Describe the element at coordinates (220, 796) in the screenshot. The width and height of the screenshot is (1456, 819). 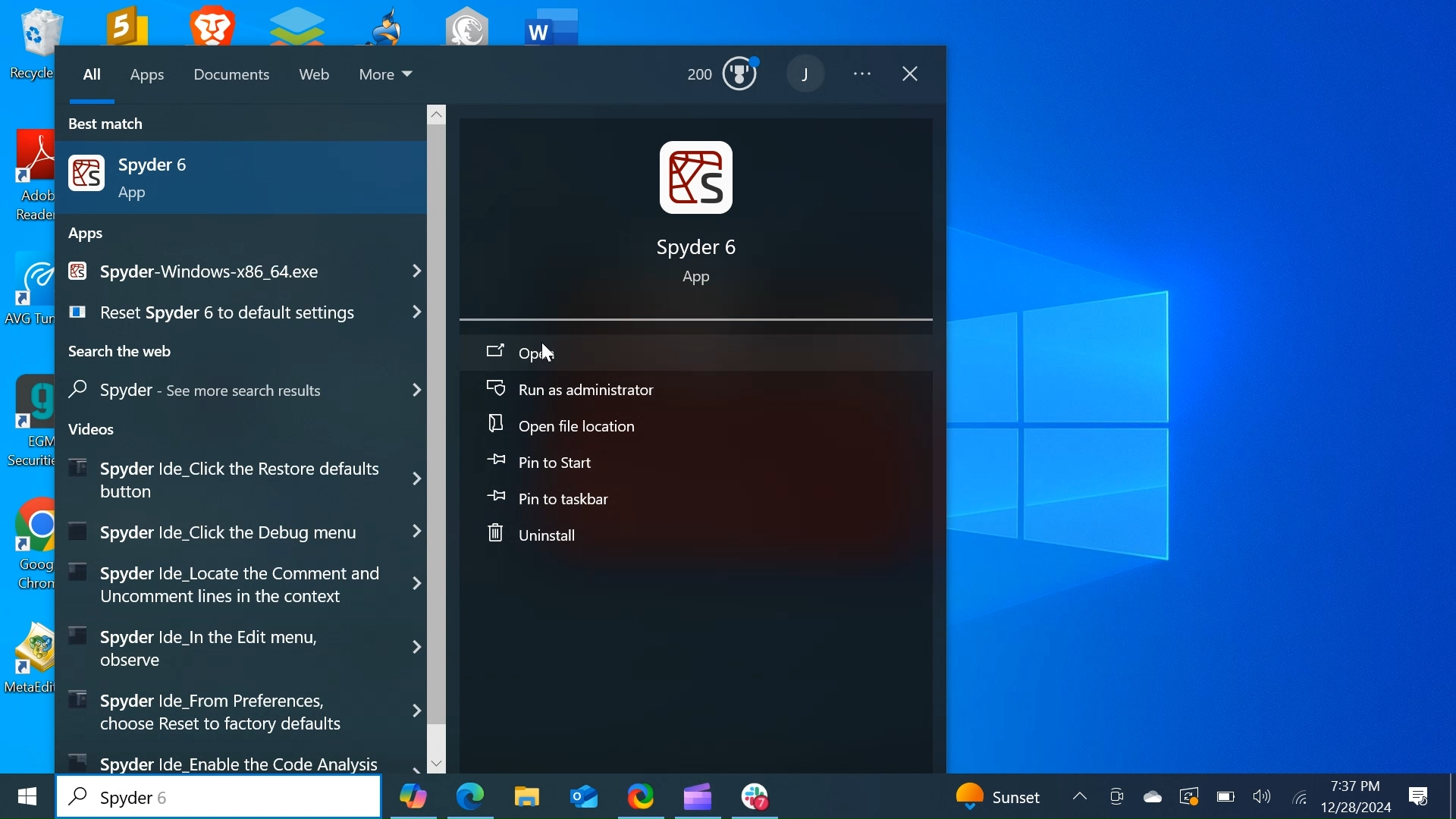
I see `Search` at that location.